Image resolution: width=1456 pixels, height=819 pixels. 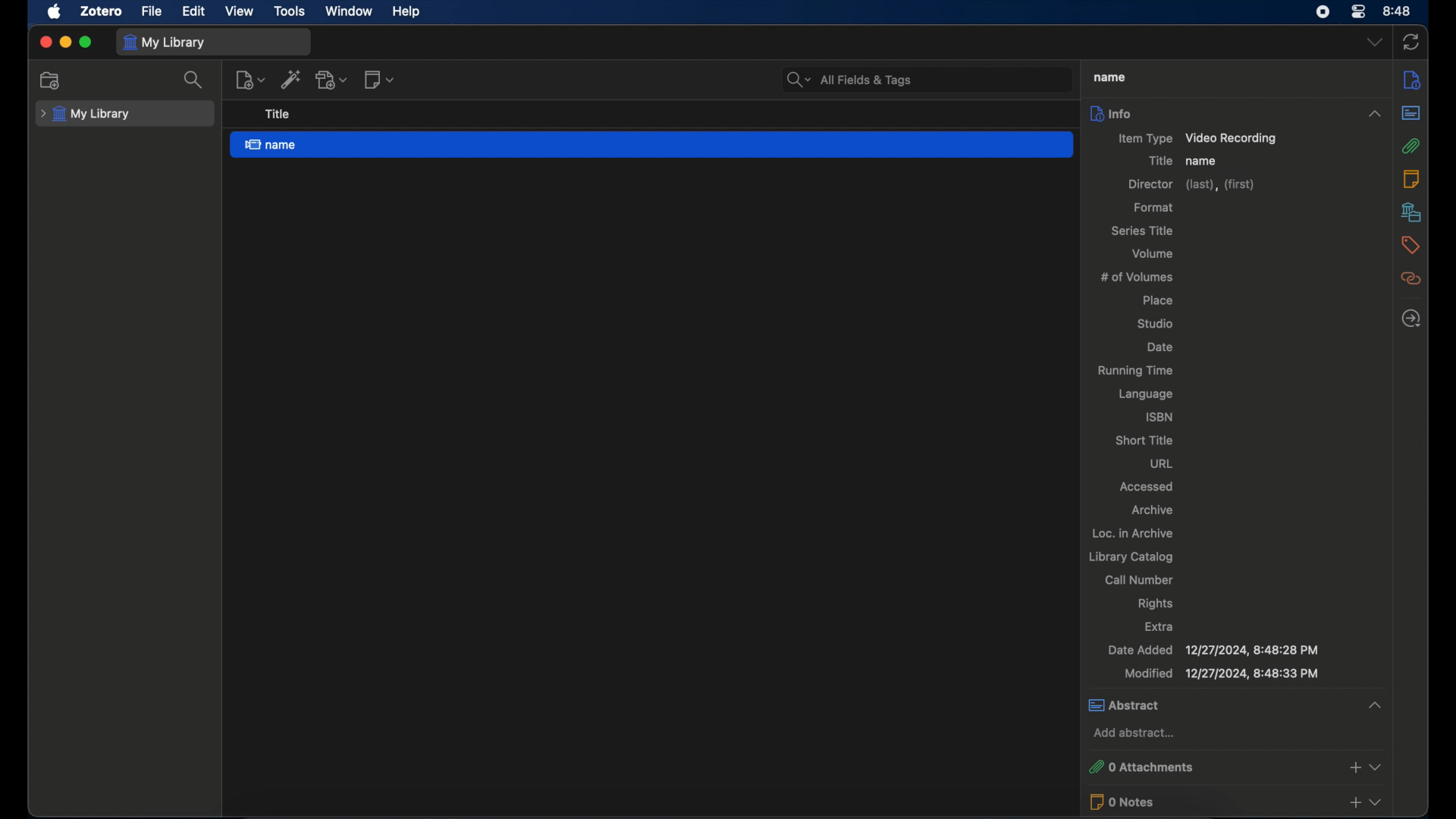 I want to click on call number, so click(x=1141, y=579).